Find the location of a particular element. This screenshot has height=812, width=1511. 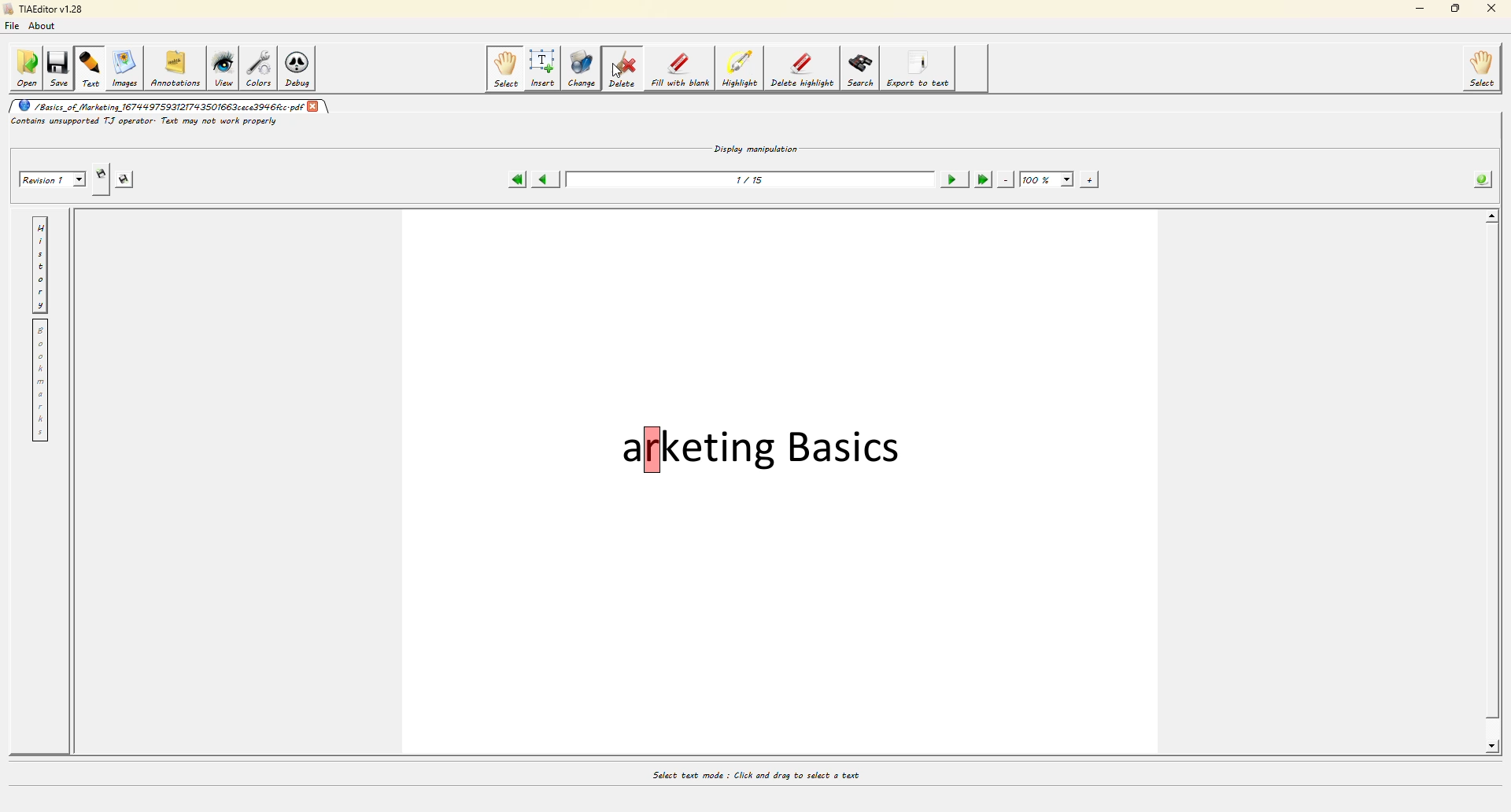

debug is located at coordinates (301, 68).